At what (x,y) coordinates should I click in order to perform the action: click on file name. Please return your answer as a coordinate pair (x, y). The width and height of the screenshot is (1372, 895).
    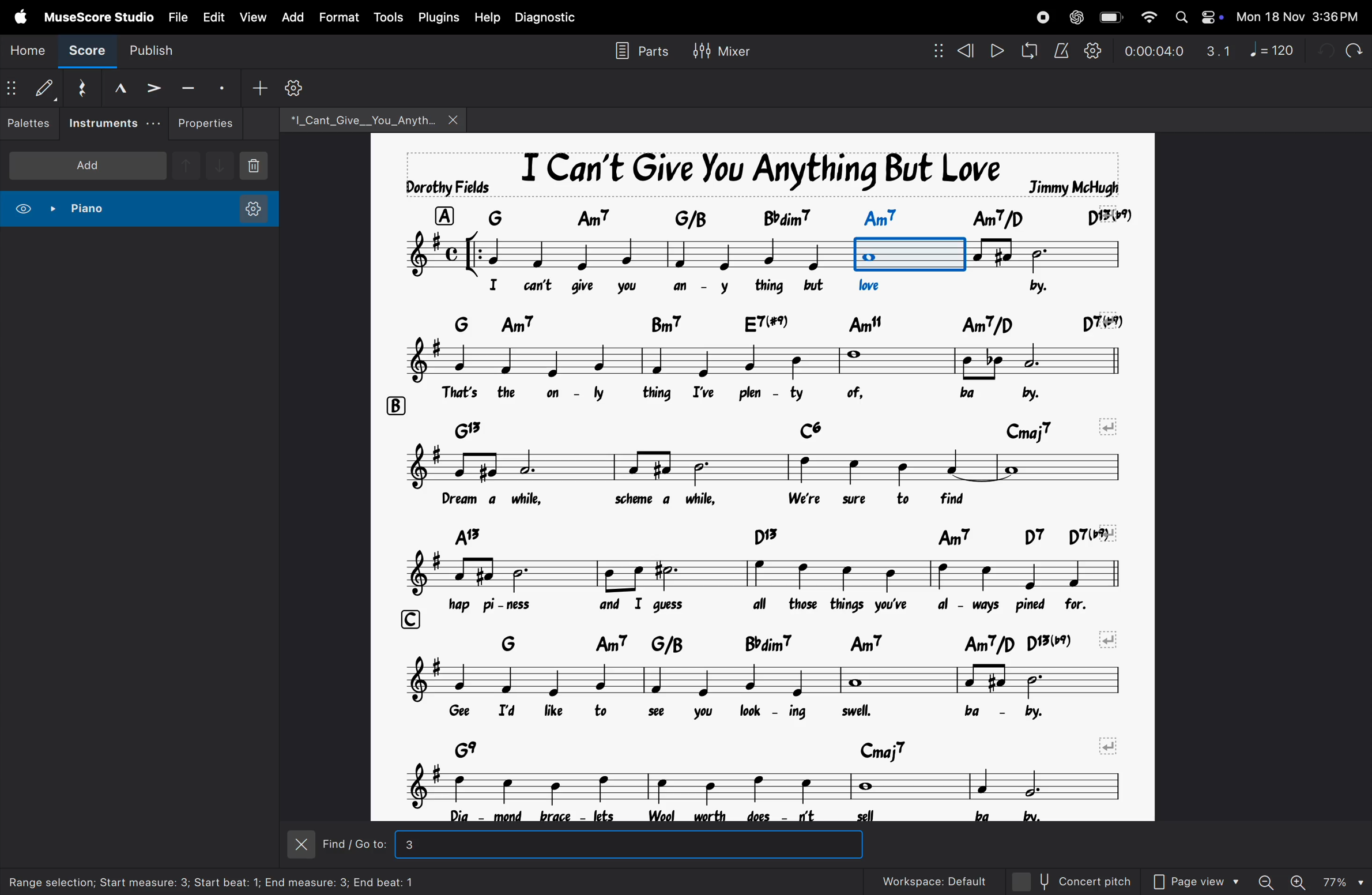
    Looking at the image, I should click on (367, 118).